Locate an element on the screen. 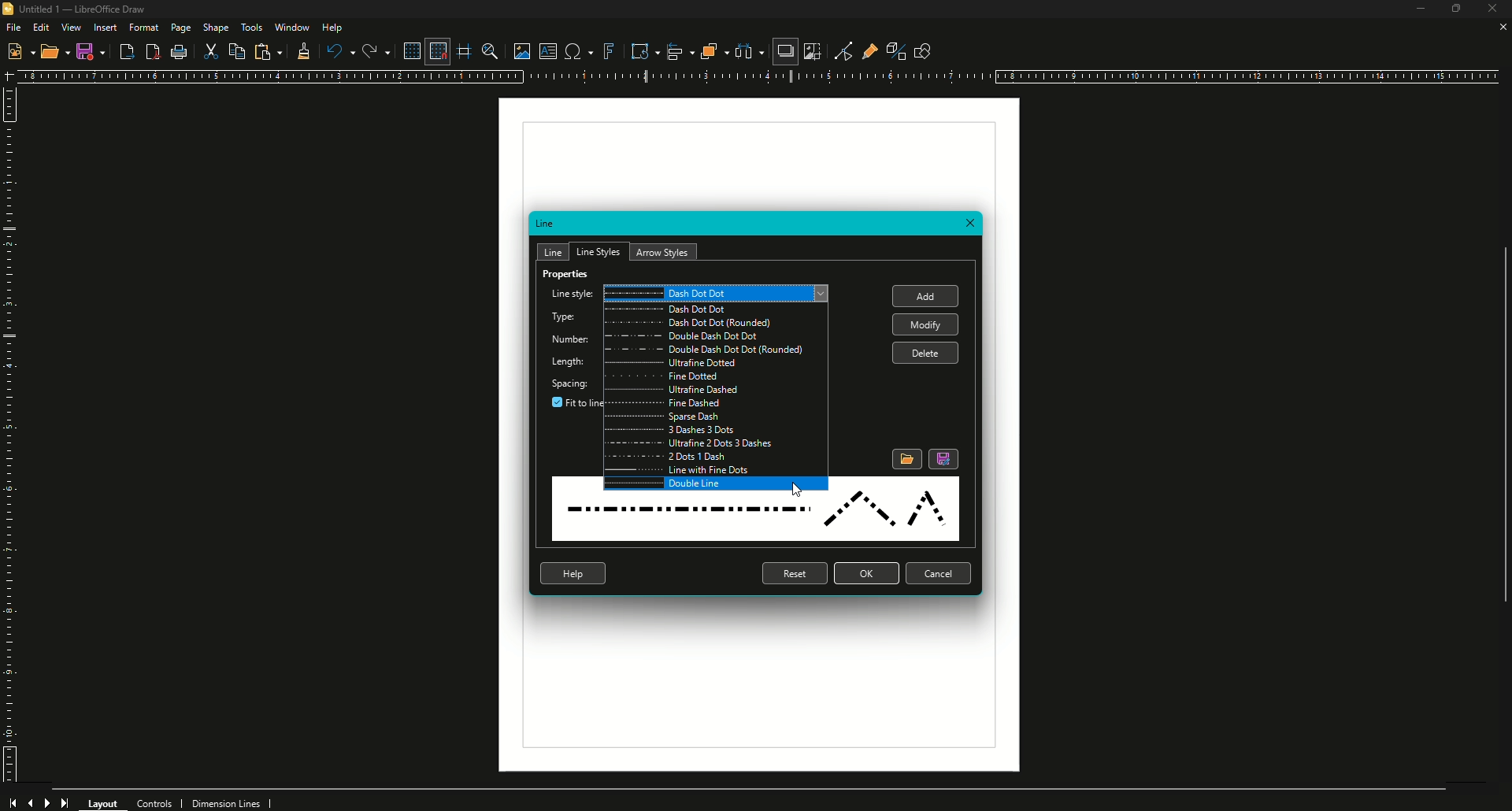 The image size is (1512, 811). Toggle Extrusion is located at coordinates (890, 49).